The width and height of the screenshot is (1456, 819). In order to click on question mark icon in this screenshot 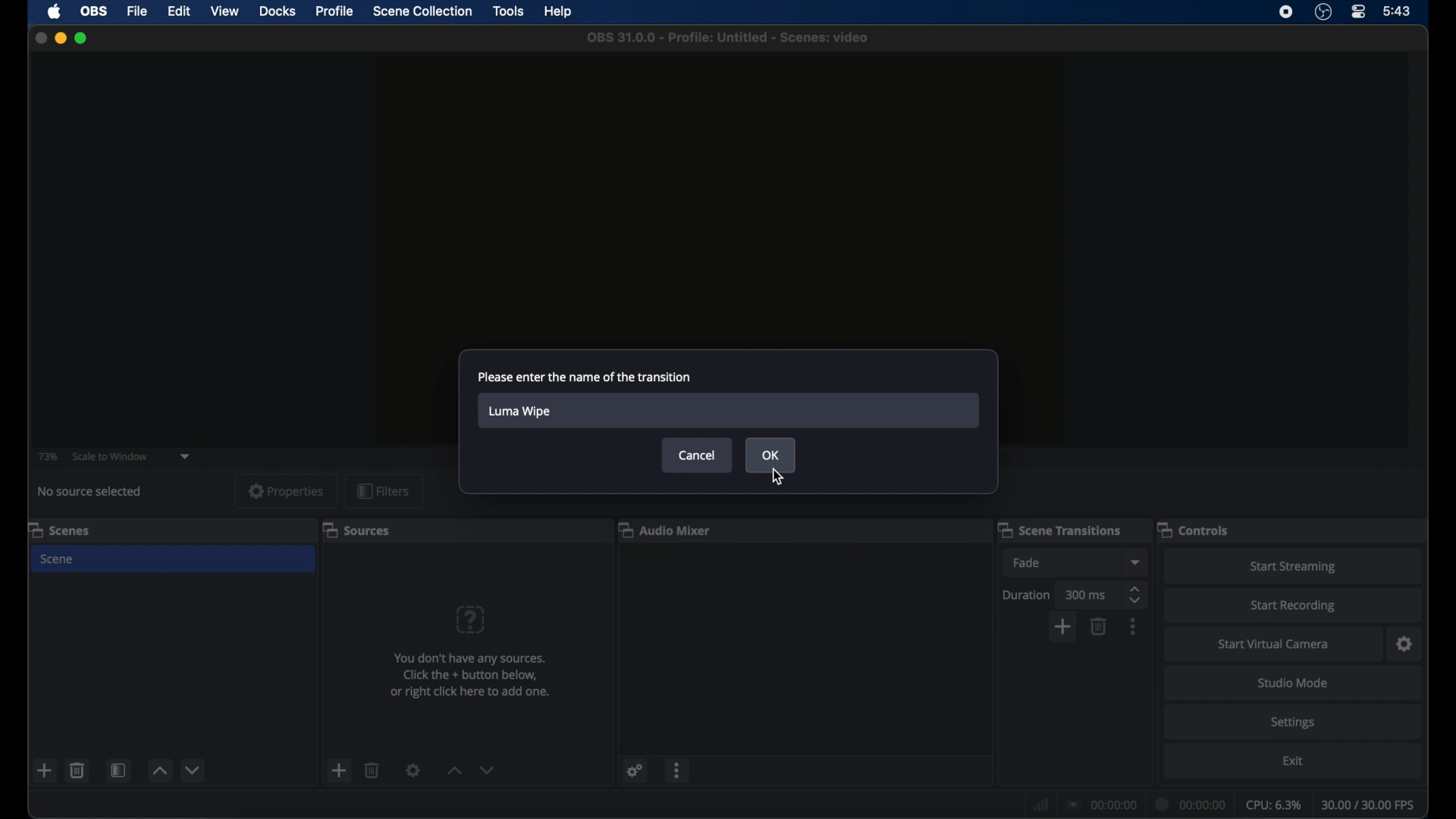, I will do `click(469, 620)`.